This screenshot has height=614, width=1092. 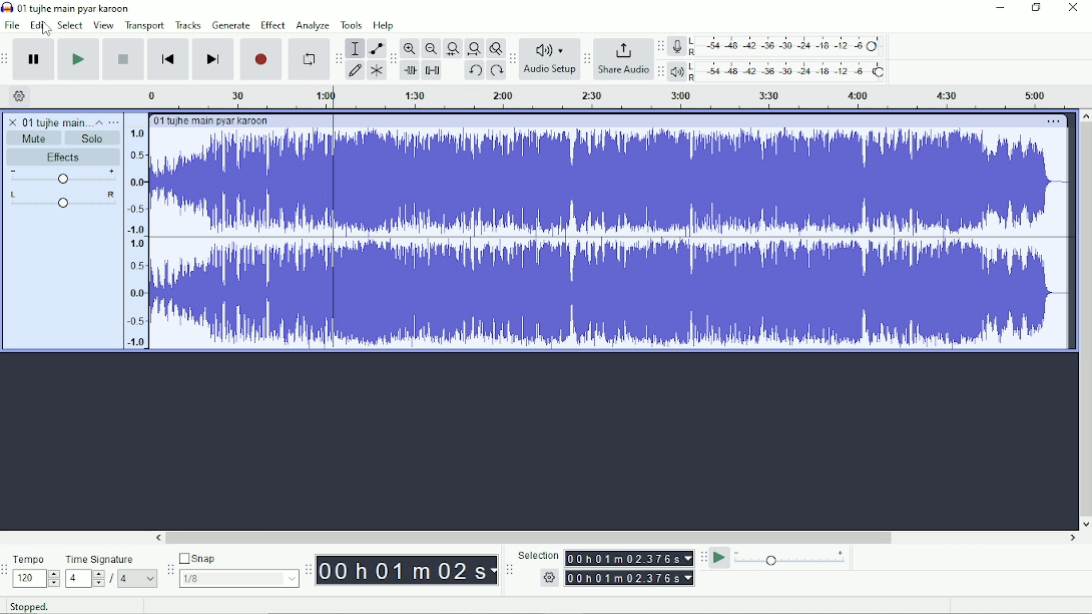 What do you see at coordinates (338, 58) in the screenshot?
I see `Audacity tools toolbar` at bounding box center [338, 58].